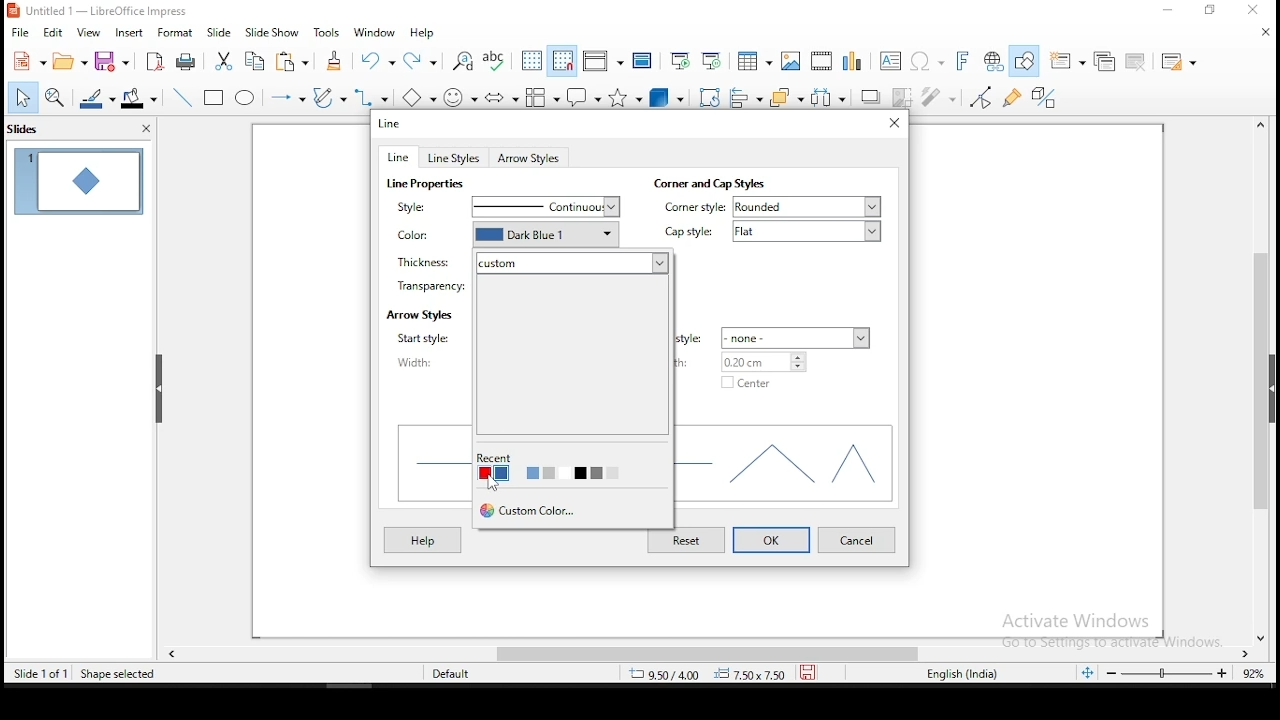  I want to click on close, so click(1263, 31).